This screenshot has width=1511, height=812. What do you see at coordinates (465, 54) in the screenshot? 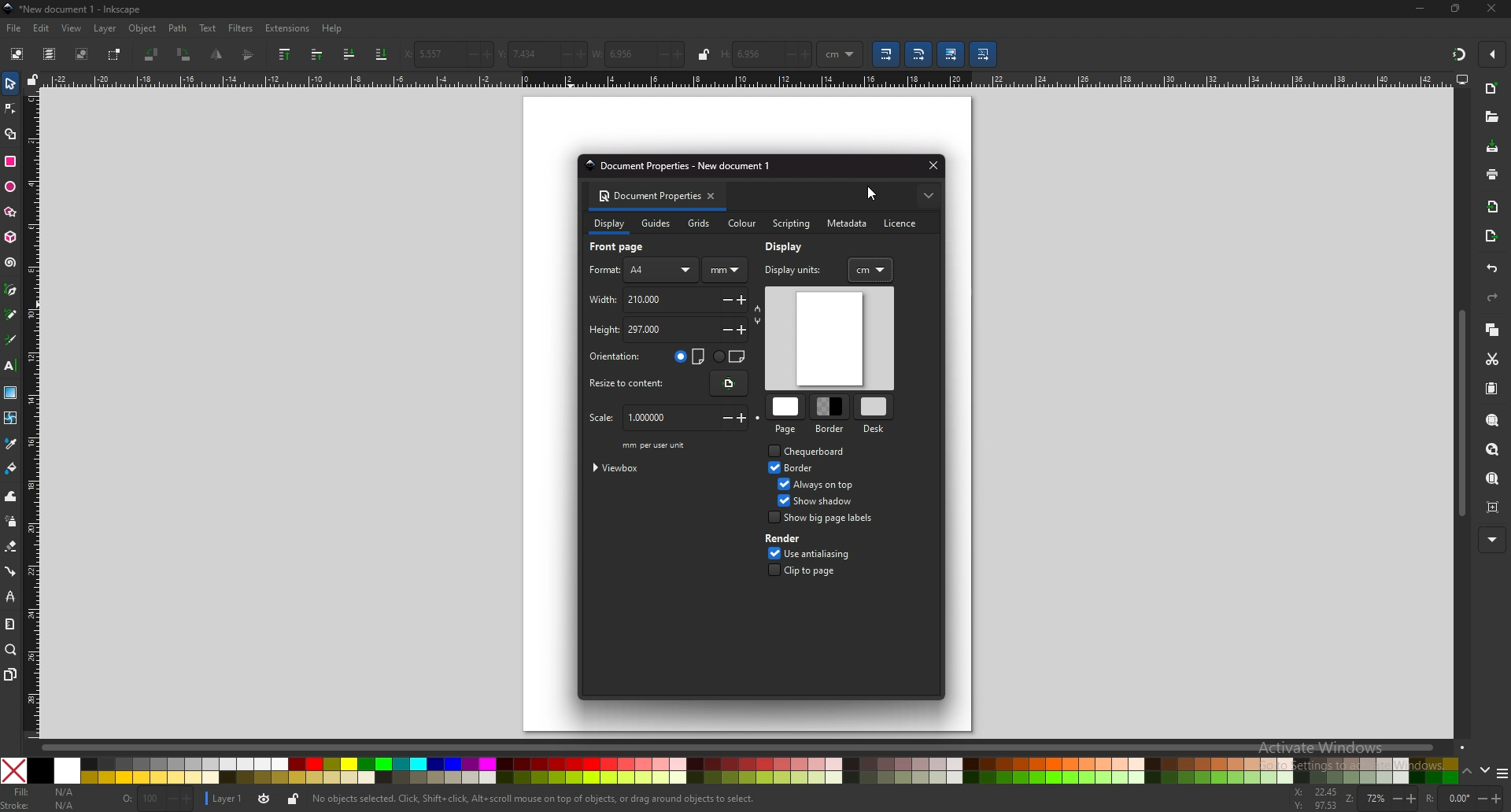
I see `-` at bounding box center [465, 54].